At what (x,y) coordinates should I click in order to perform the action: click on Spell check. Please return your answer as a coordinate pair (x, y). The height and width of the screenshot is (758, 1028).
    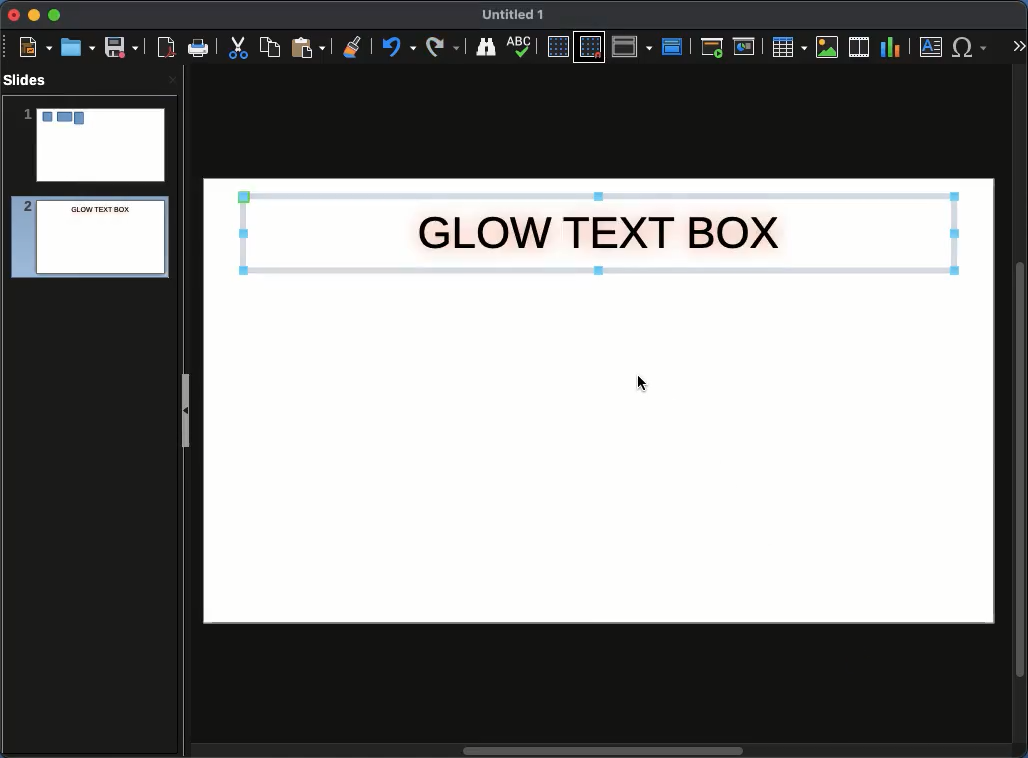
    Looking at the image, I should click on (521, 48).